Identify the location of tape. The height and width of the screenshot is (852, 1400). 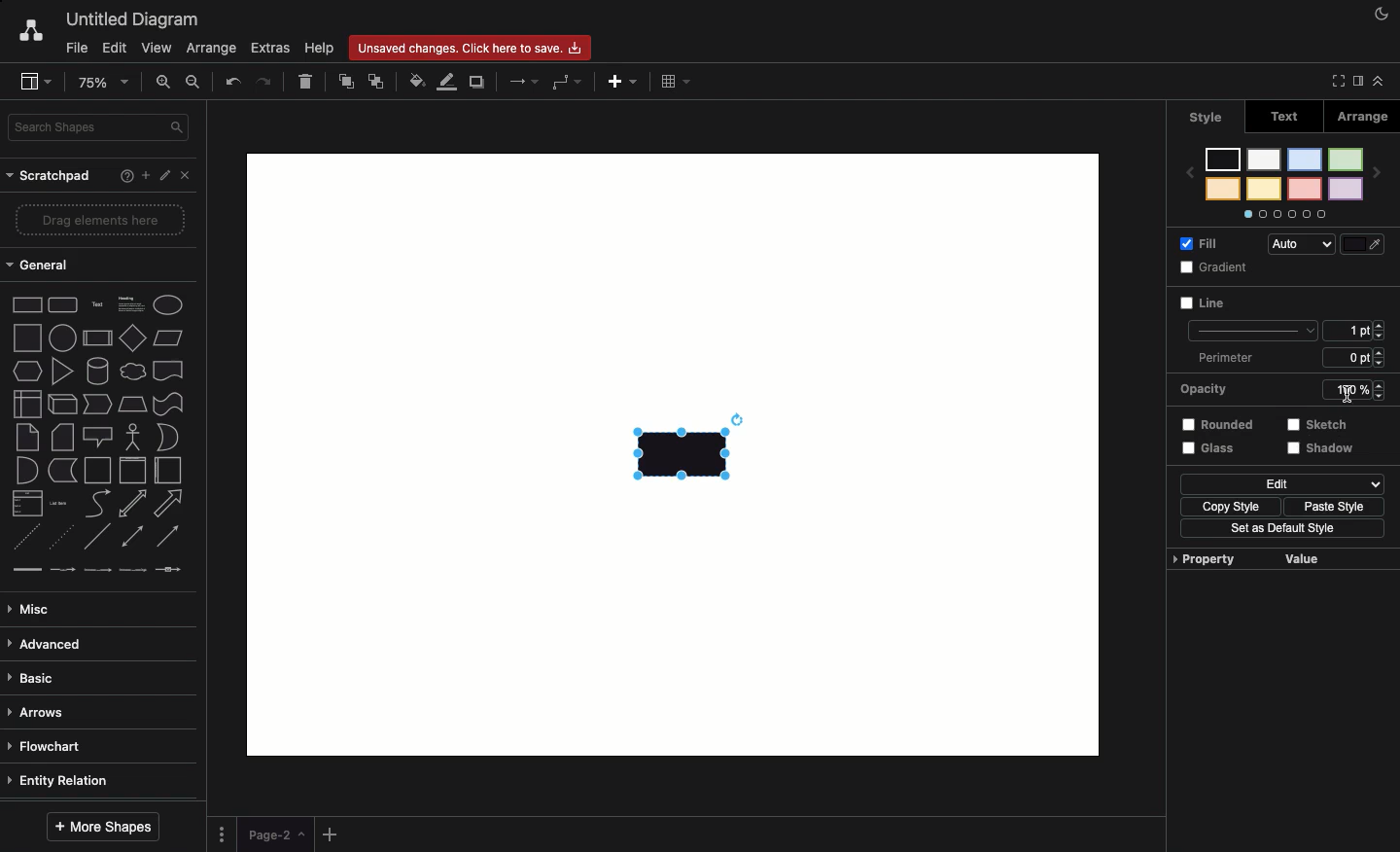
(169, 403).